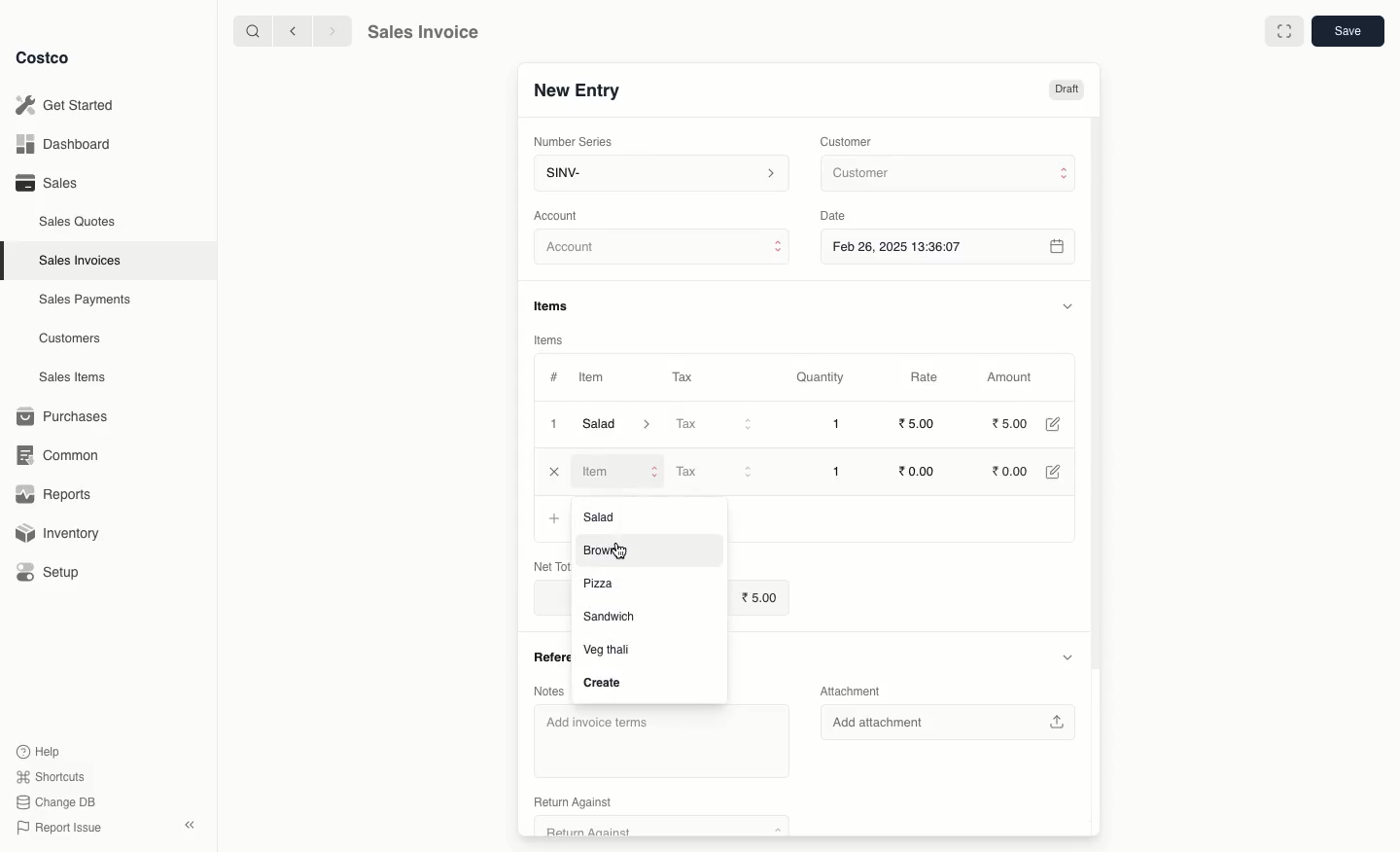 This screenshot has width=1400, height=852. What do you see at coordinates (663, 250) in the screenshot?
I see `Account` at bounding box center [663, 250].